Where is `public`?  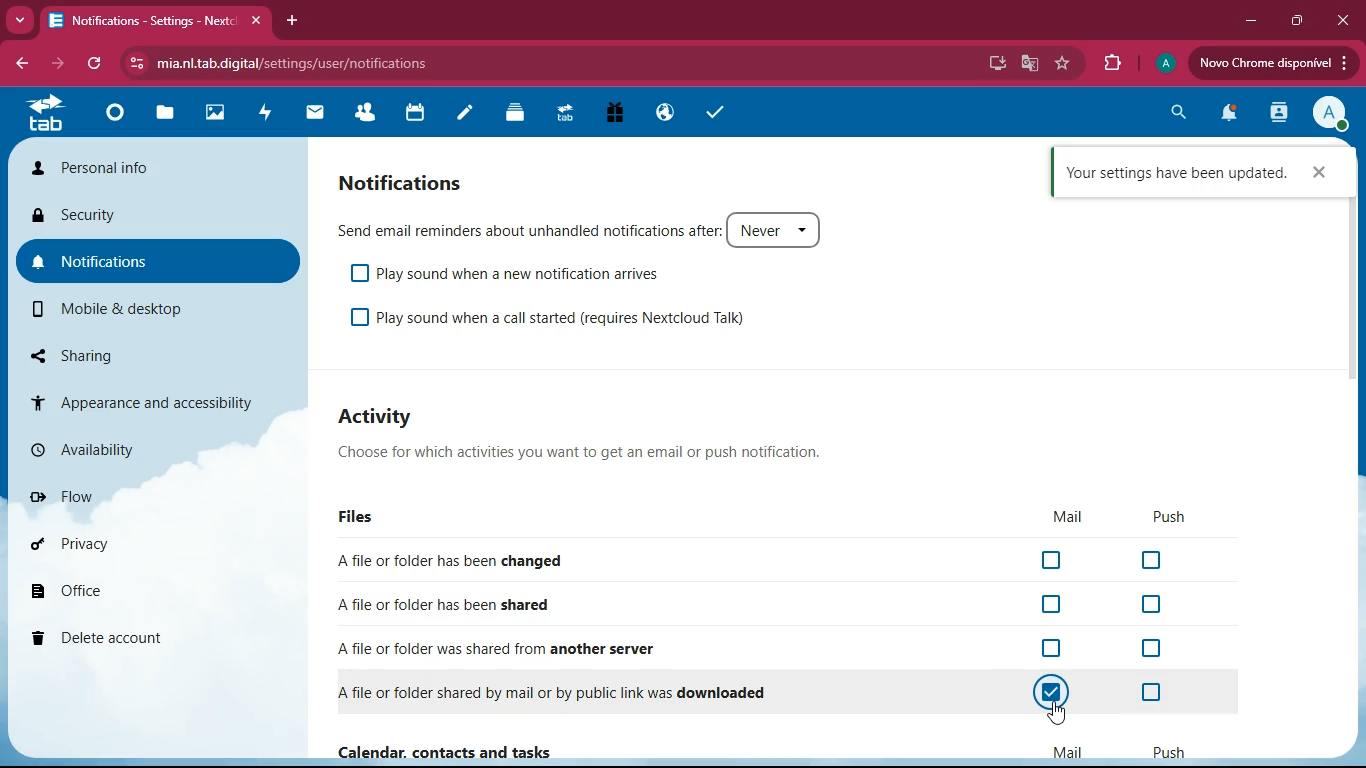
public is located at coordinates (662, 114).